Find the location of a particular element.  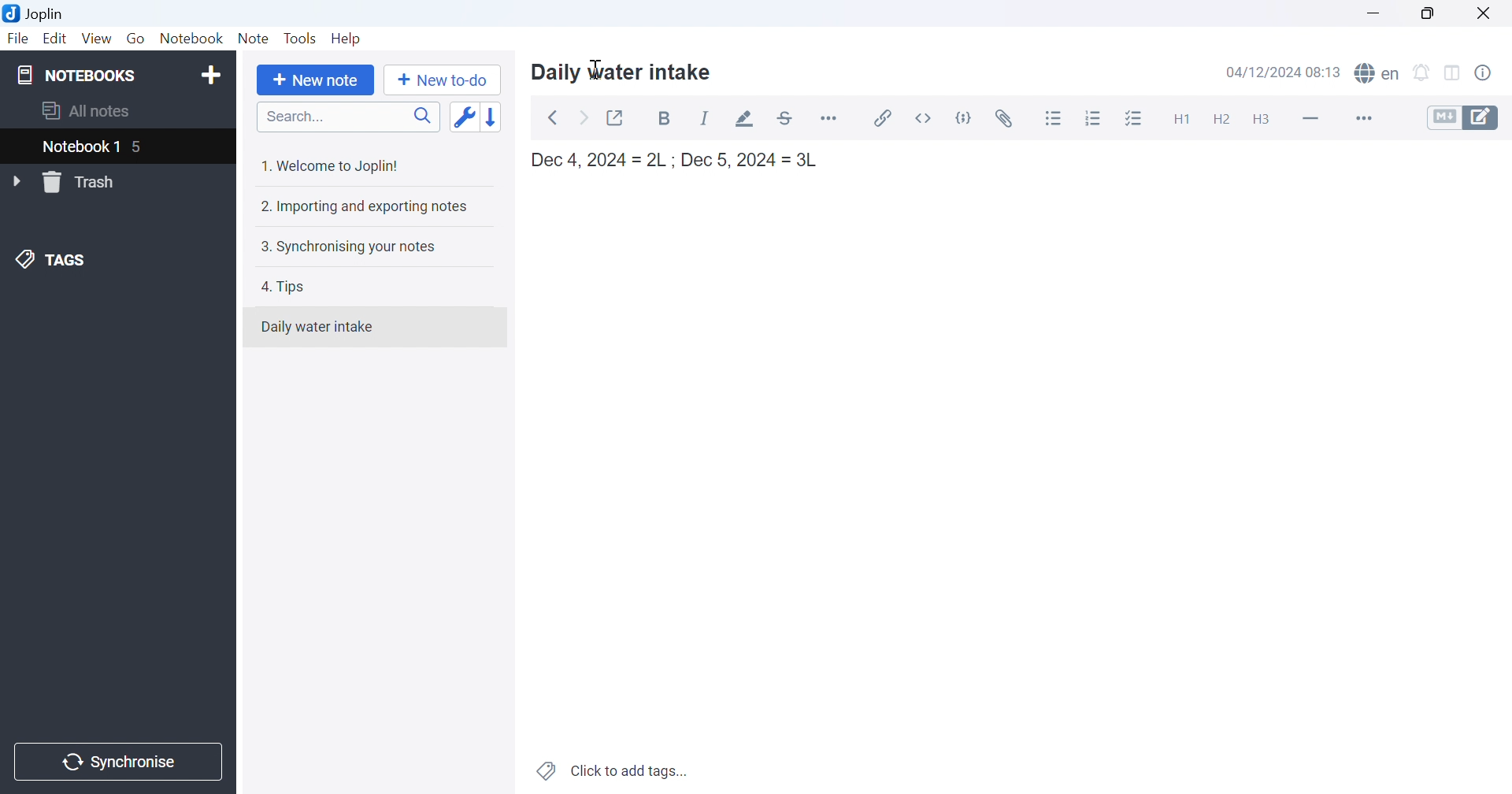

Set alarm is located at coordinates (1425, 72).